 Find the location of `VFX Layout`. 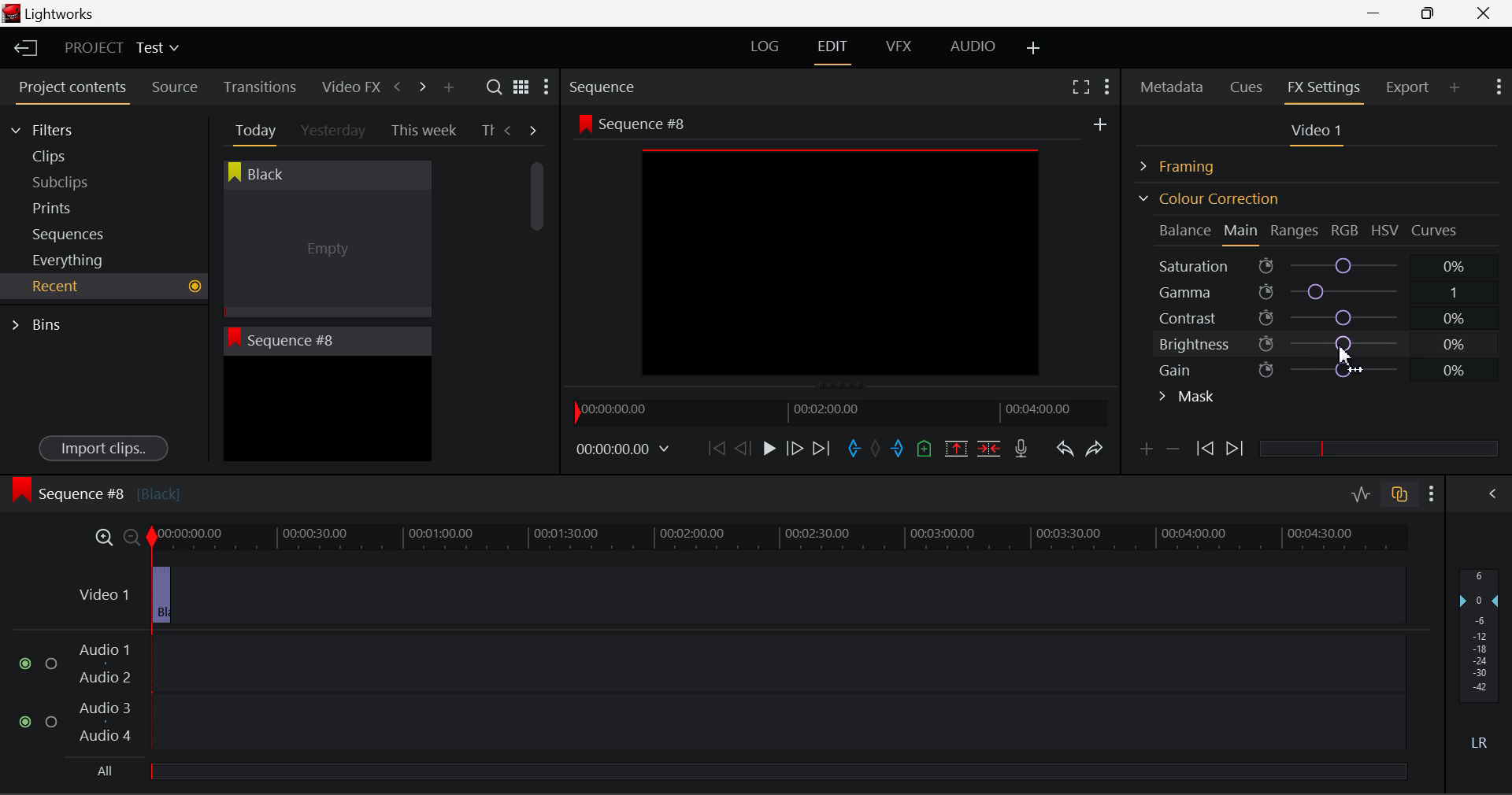

VFX Layout is located at coordinates (902, 48).